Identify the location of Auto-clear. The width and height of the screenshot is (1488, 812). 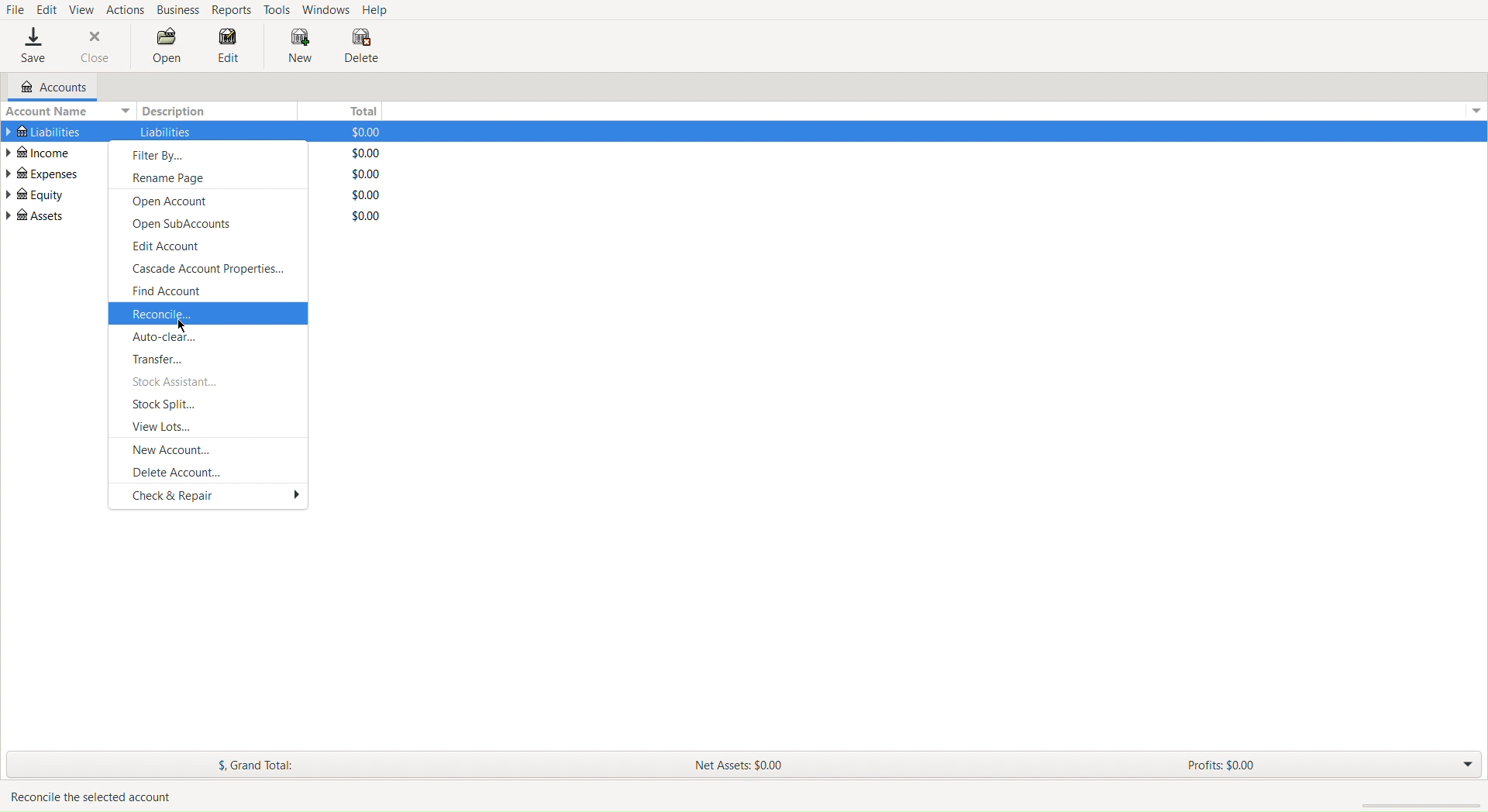
(208, 337).